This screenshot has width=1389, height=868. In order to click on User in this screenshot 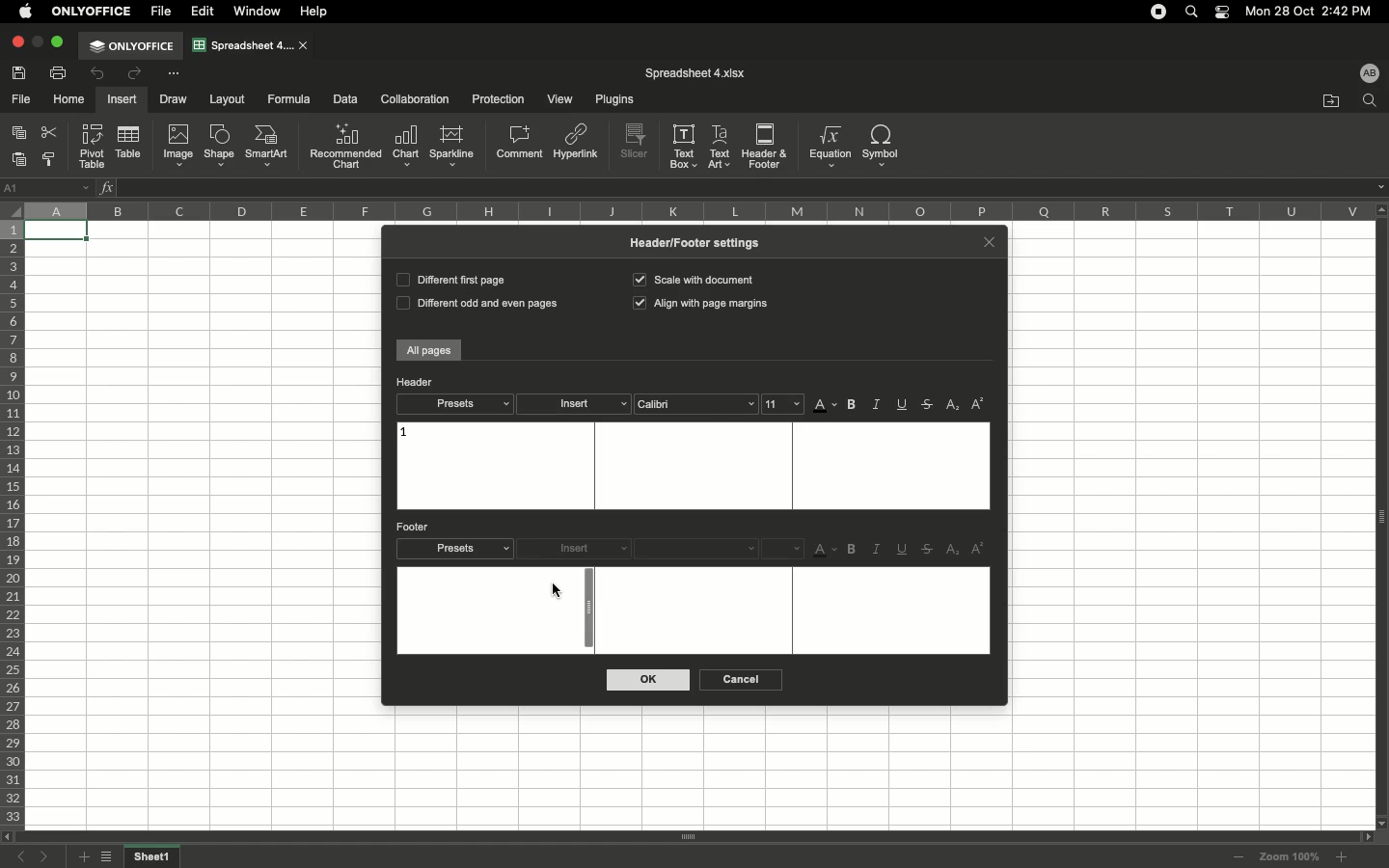, I will do `click(1369, 72)`.